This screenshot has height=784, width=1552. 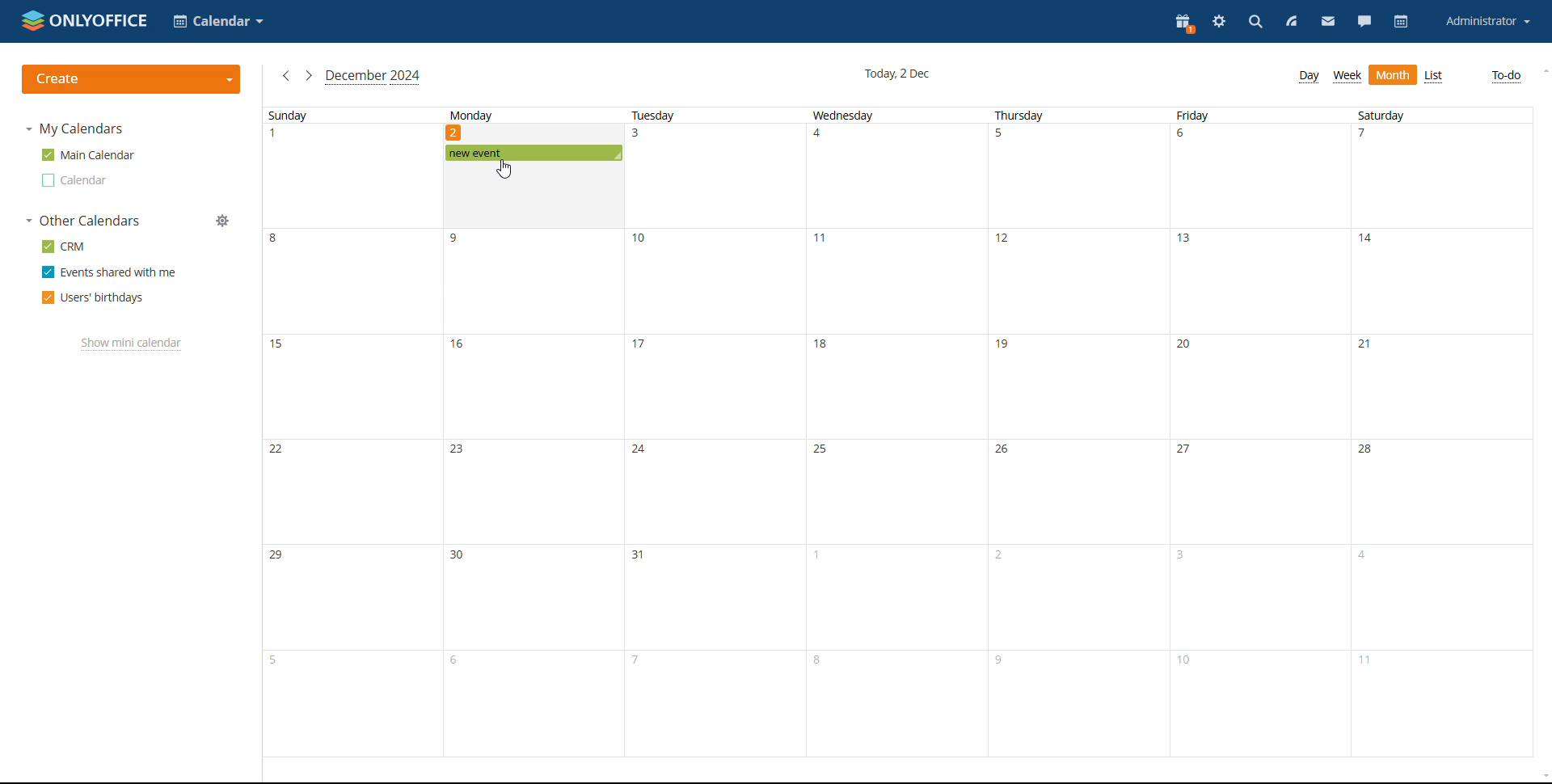 I want to click on show mini calendar, so click(x=132, y=344).